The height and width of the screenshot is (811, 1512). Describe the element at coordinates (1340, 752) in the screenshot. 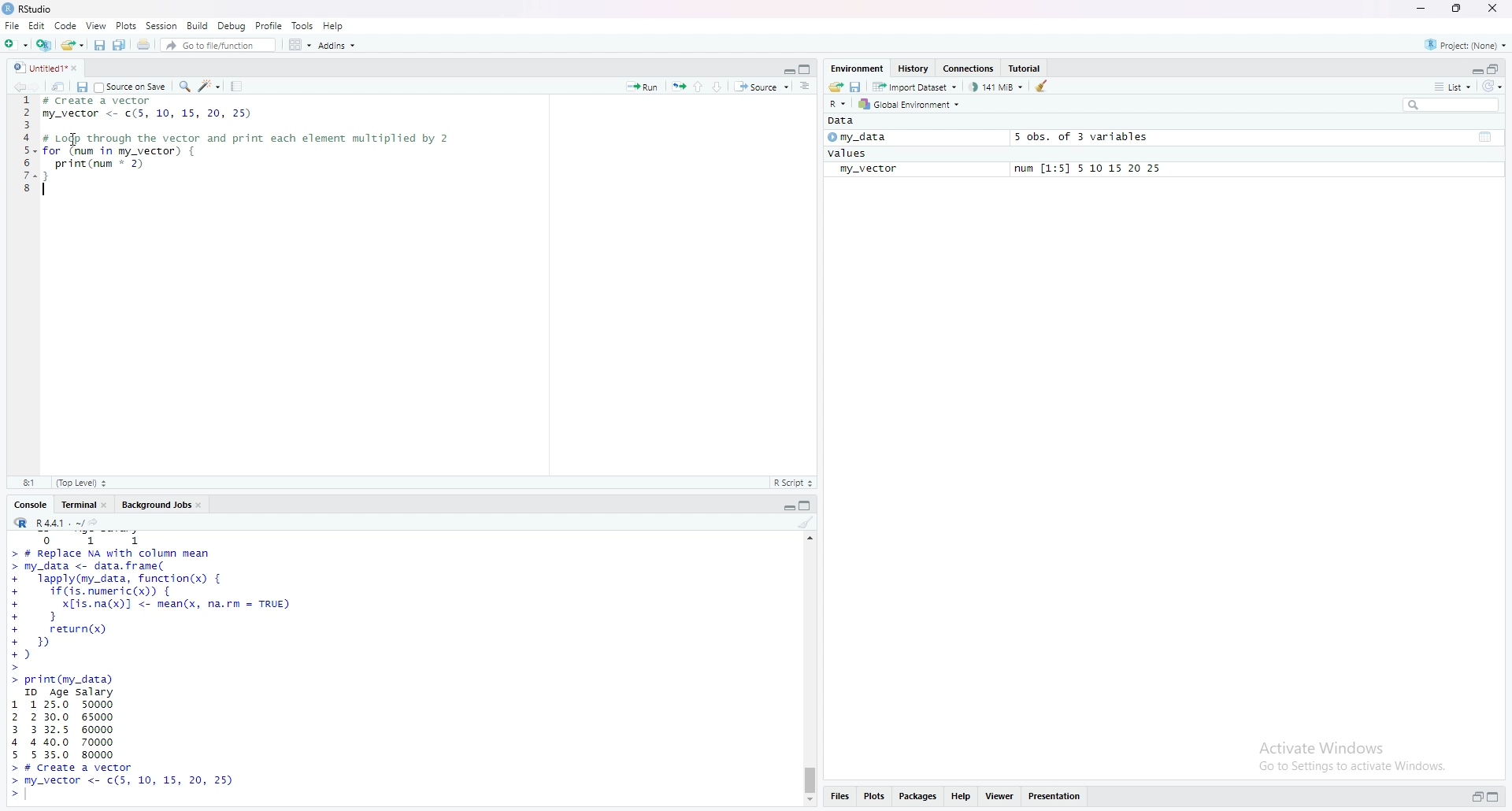

I see `activate windows go to settings to activate windows` at that location.